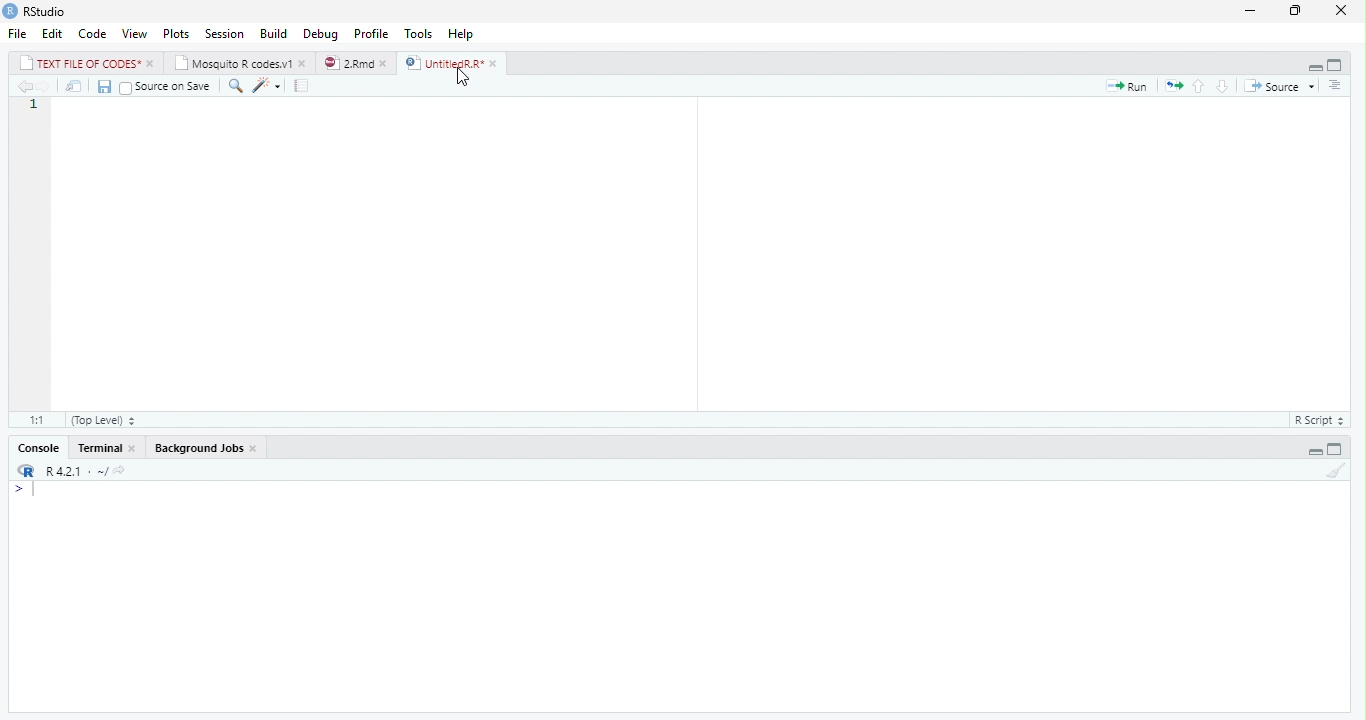 The image size is (1366, 720). Describe the element at coordinates (22, 86) in the screenshot. I see `Go to previous location` at that location.